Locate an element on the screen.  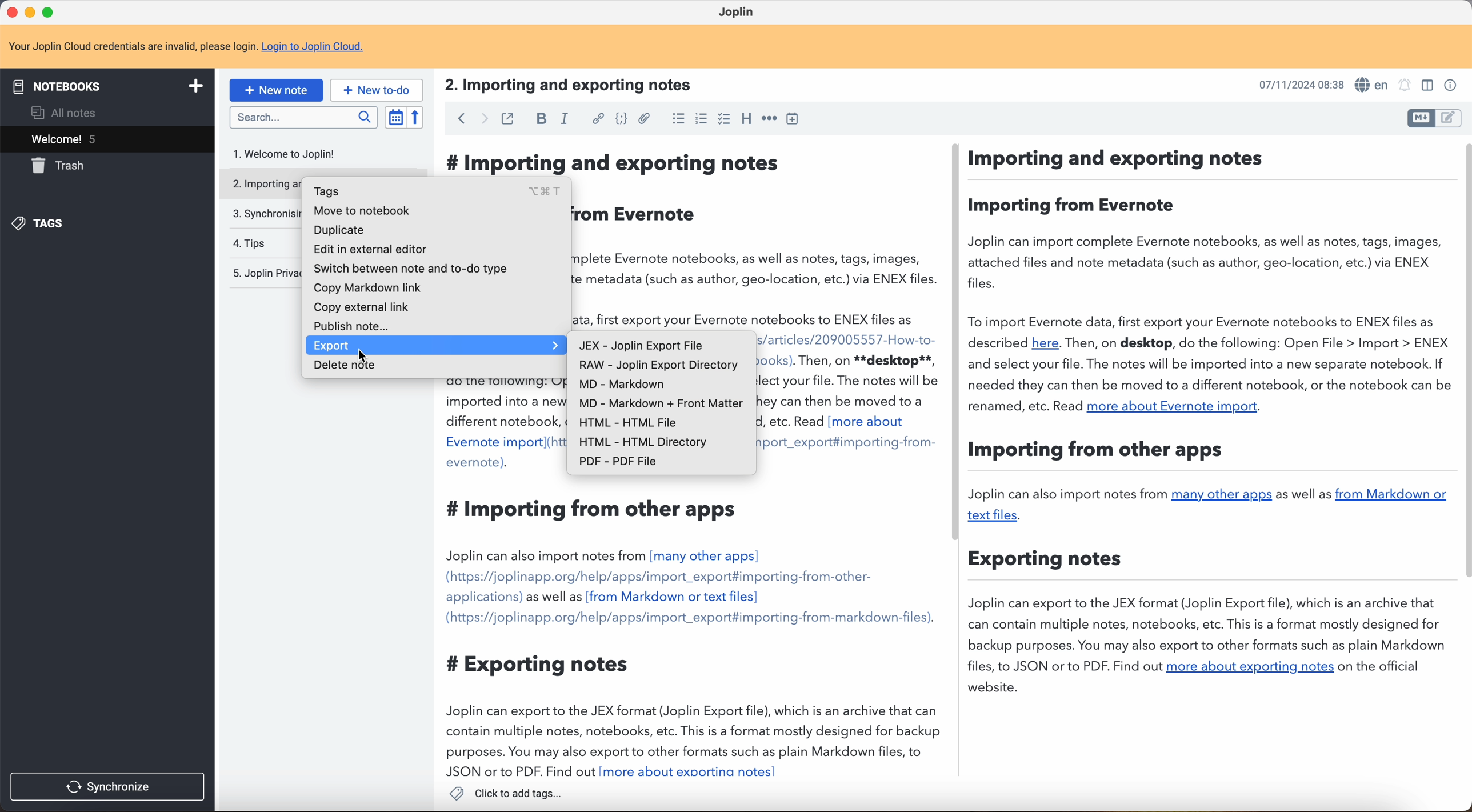
MD - Markdown + front matter is located at coordinates (661, 404).